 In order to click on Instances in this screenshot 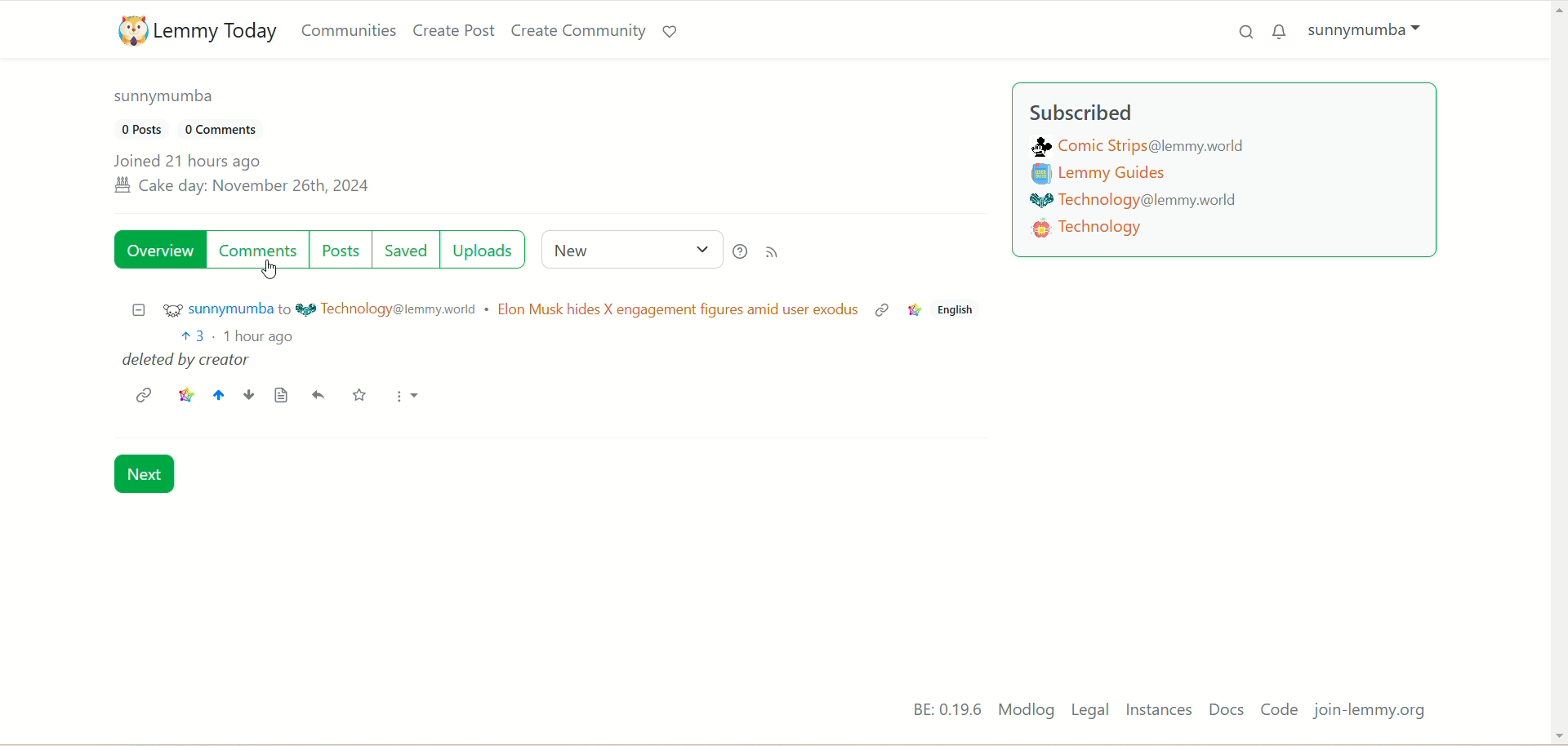, I will do `click(1161, 712)`.